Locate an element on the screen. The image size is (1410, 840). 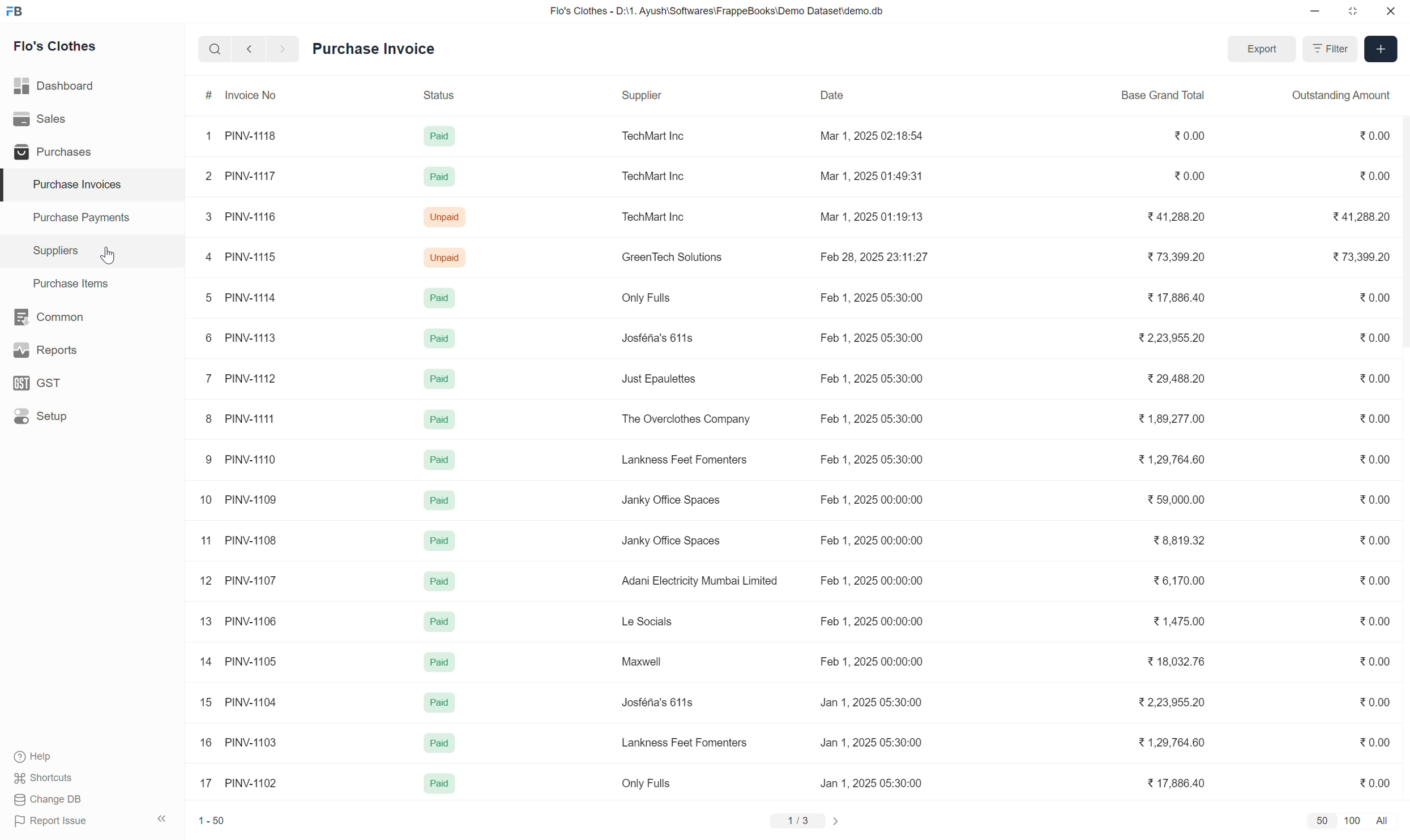
14 PINV-1105 is located at coordinates (240, 660).